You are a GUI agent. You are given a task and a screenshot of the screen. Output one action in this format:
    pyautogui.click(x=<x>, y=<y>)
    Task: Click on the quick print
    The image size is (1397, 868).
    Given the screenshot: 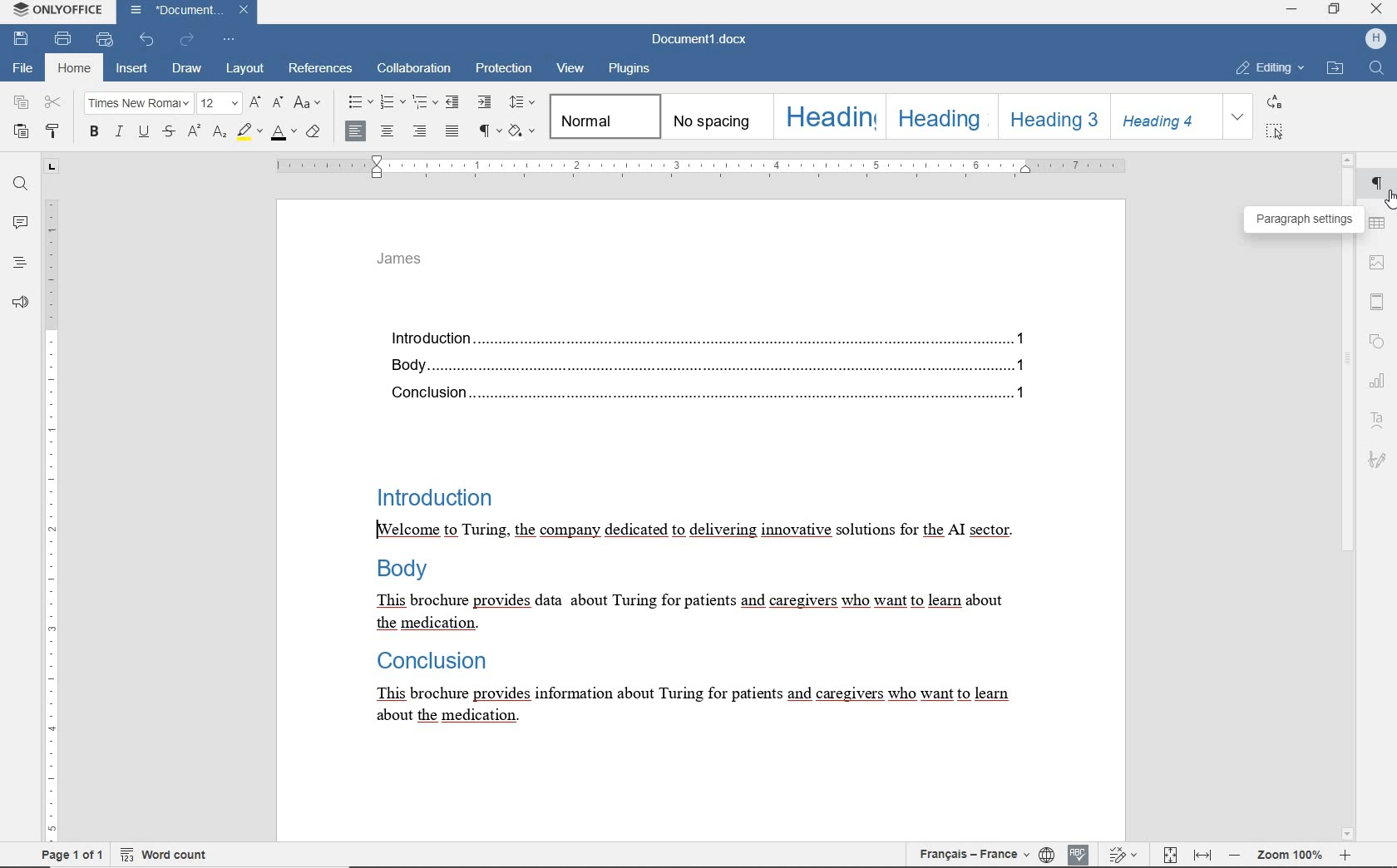 What is the action you would take?
    pyautogui.click(x=104, y=40)
    